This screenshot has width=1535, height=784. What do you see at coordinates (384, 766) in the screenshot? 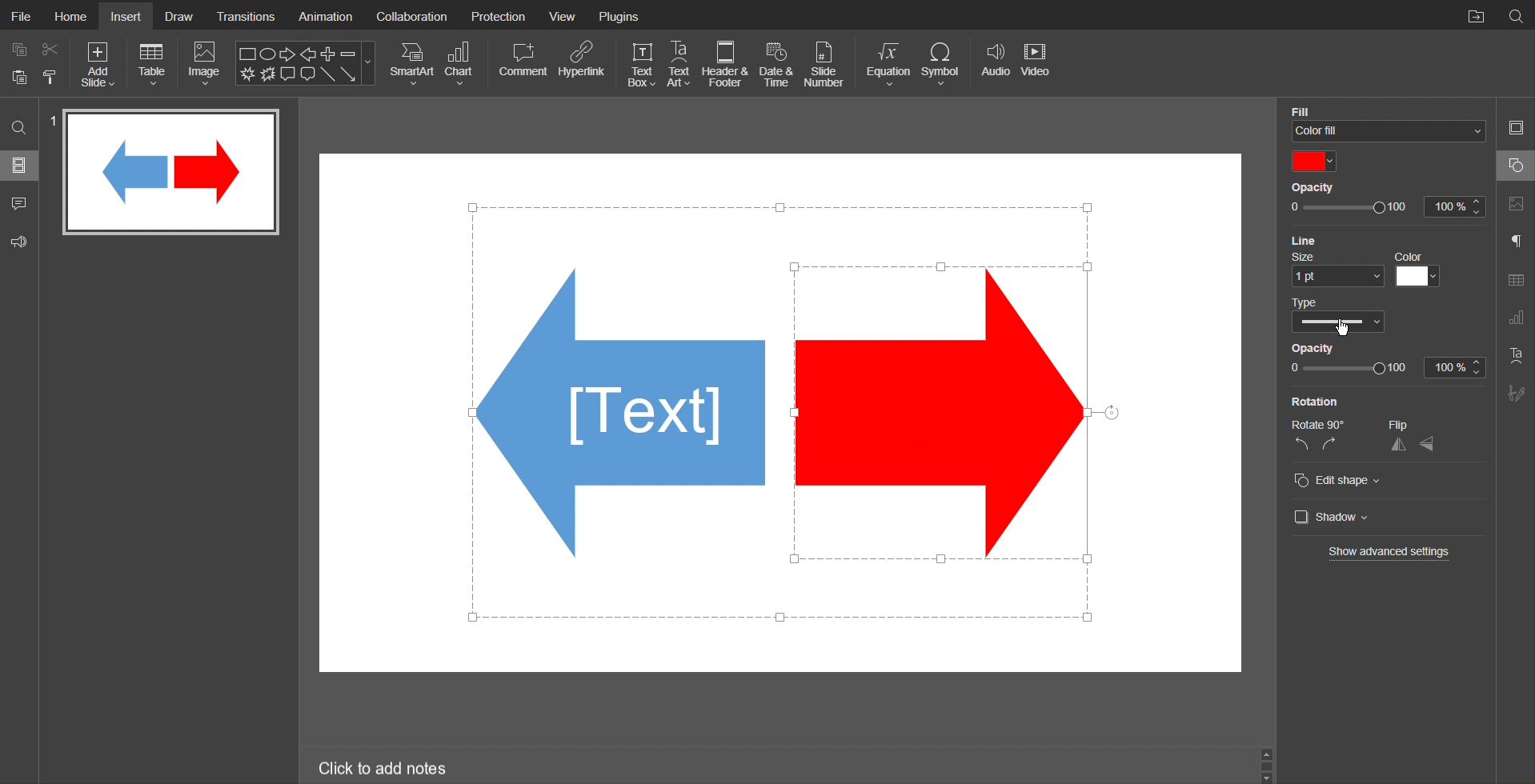
I see `Click to add notes` at bounding box center [384, 766].